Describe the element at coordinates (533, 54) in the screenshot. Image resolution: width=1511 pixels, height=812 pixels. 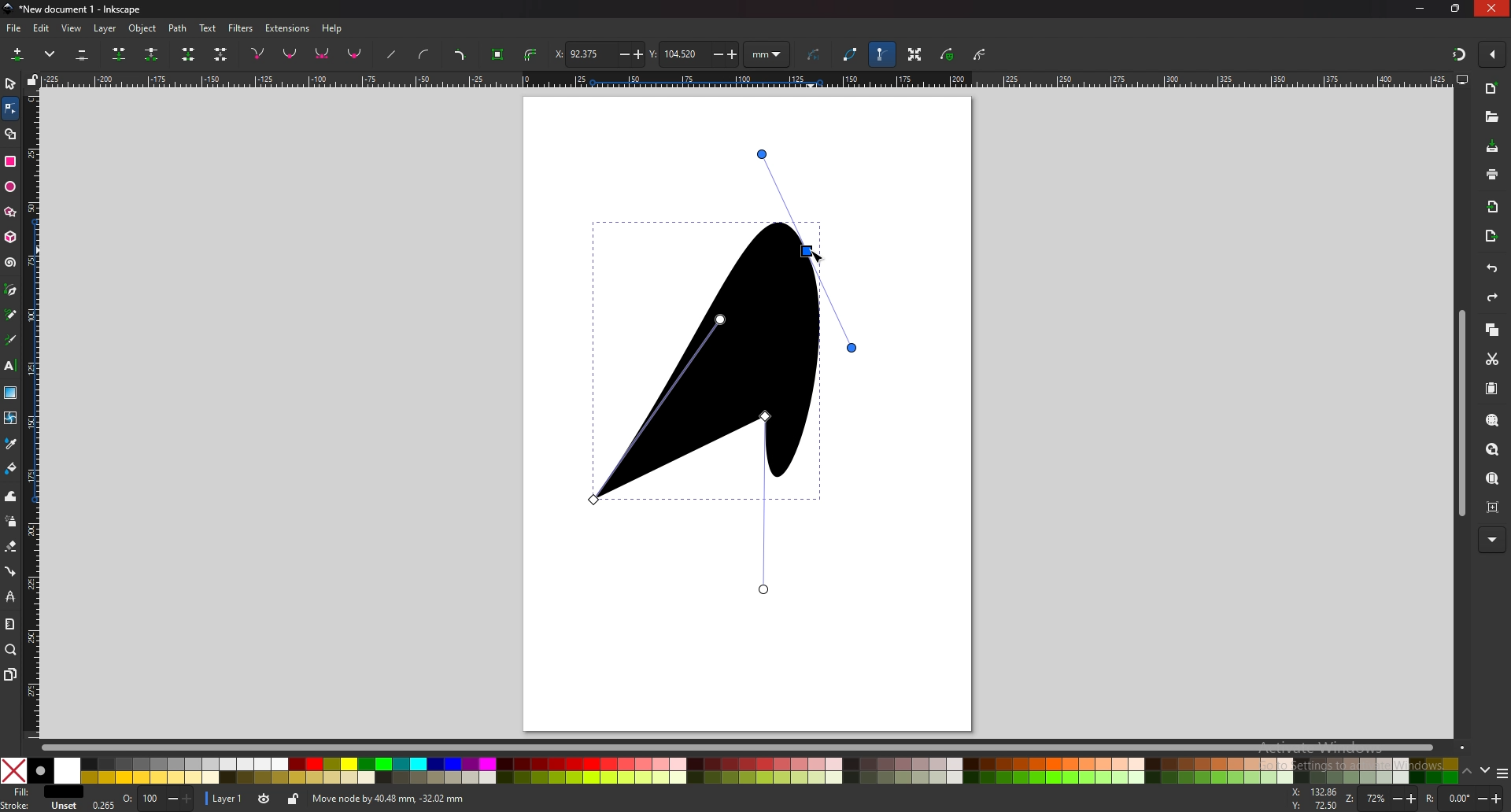
I see `stroke to path` at that location.